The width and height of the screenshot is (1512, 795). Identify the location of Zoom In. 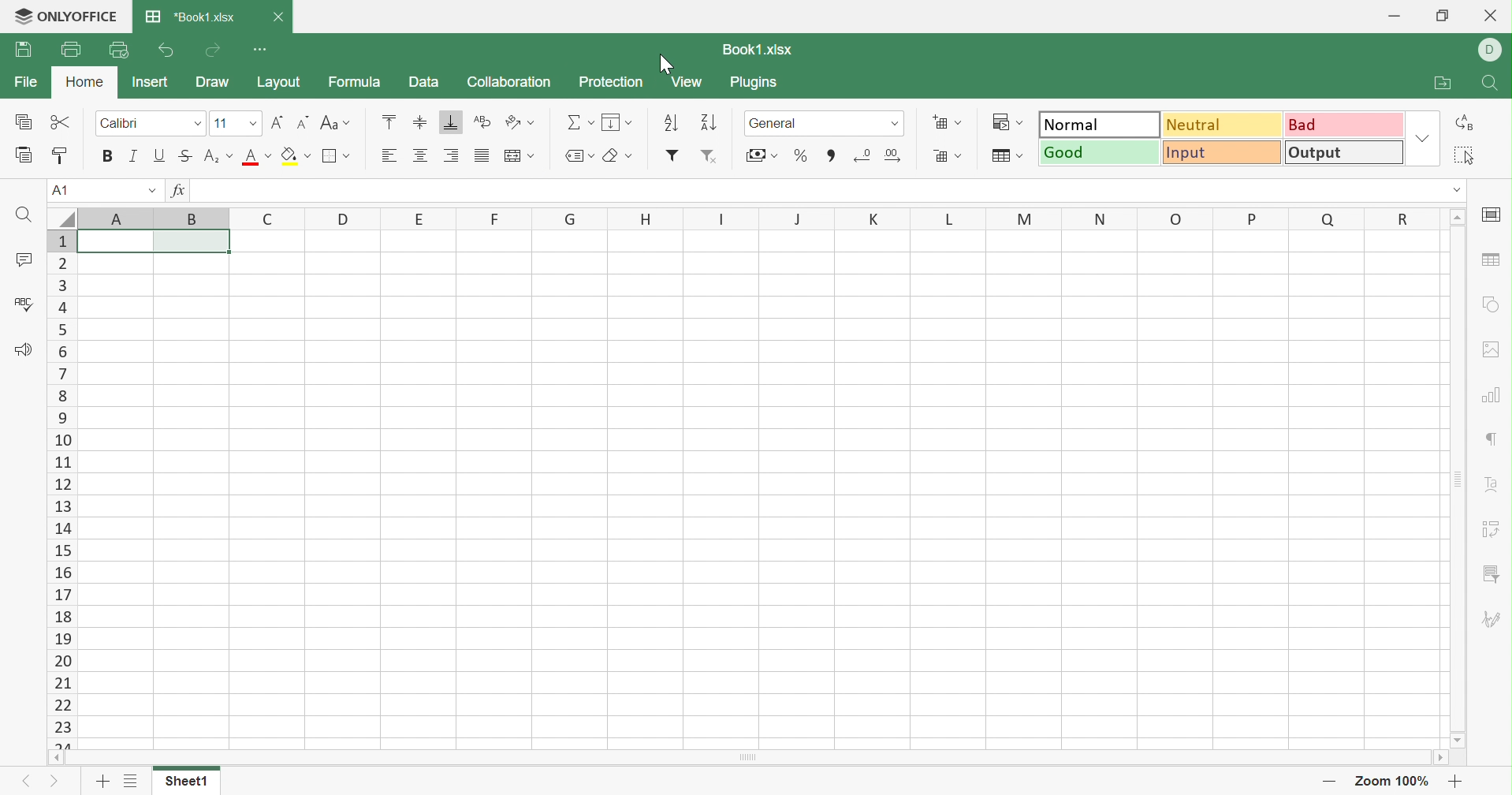
(1456, 783).